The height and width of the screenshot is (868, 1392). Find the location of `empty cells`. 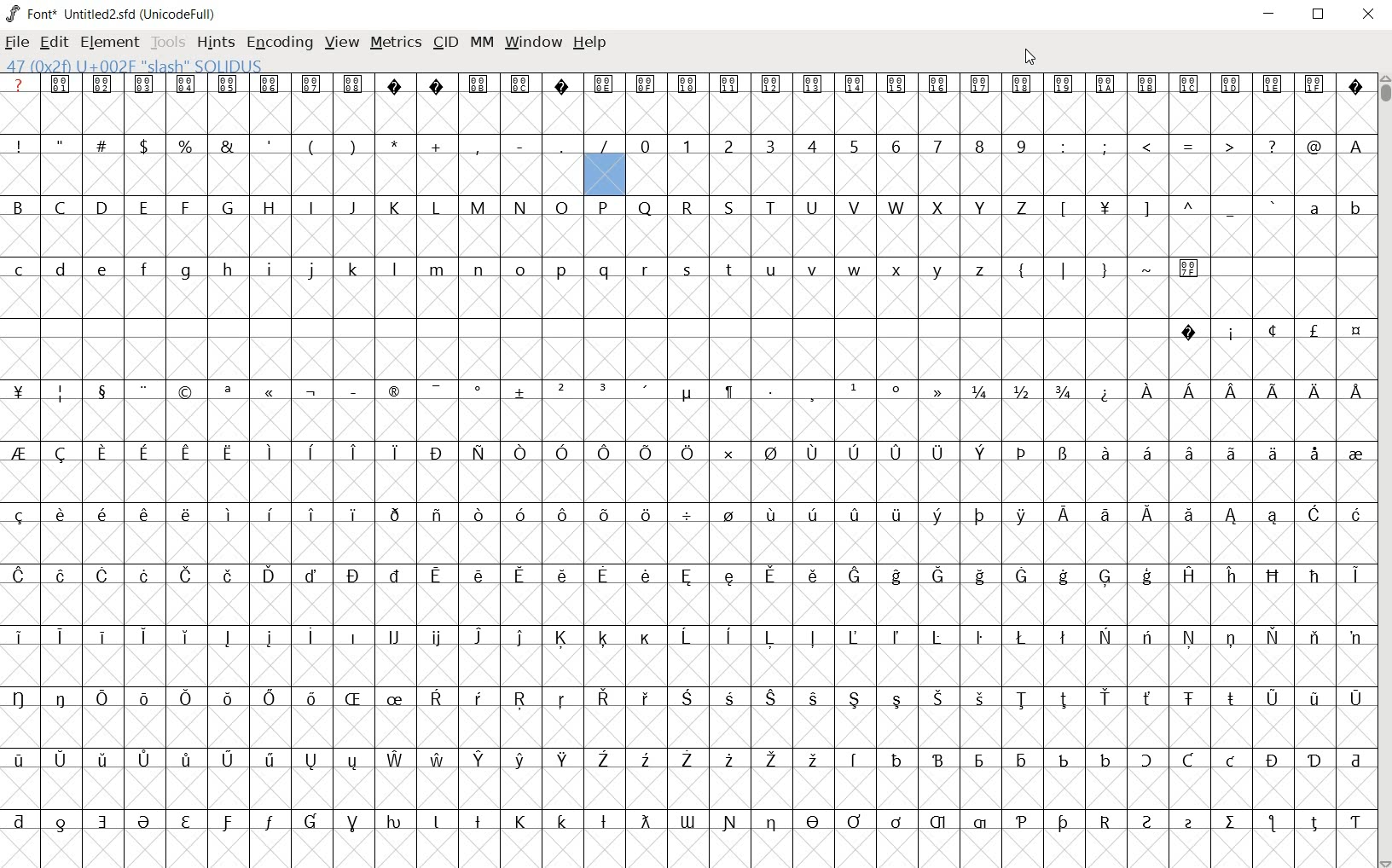

empty cells is located at coordinates (690, 357).